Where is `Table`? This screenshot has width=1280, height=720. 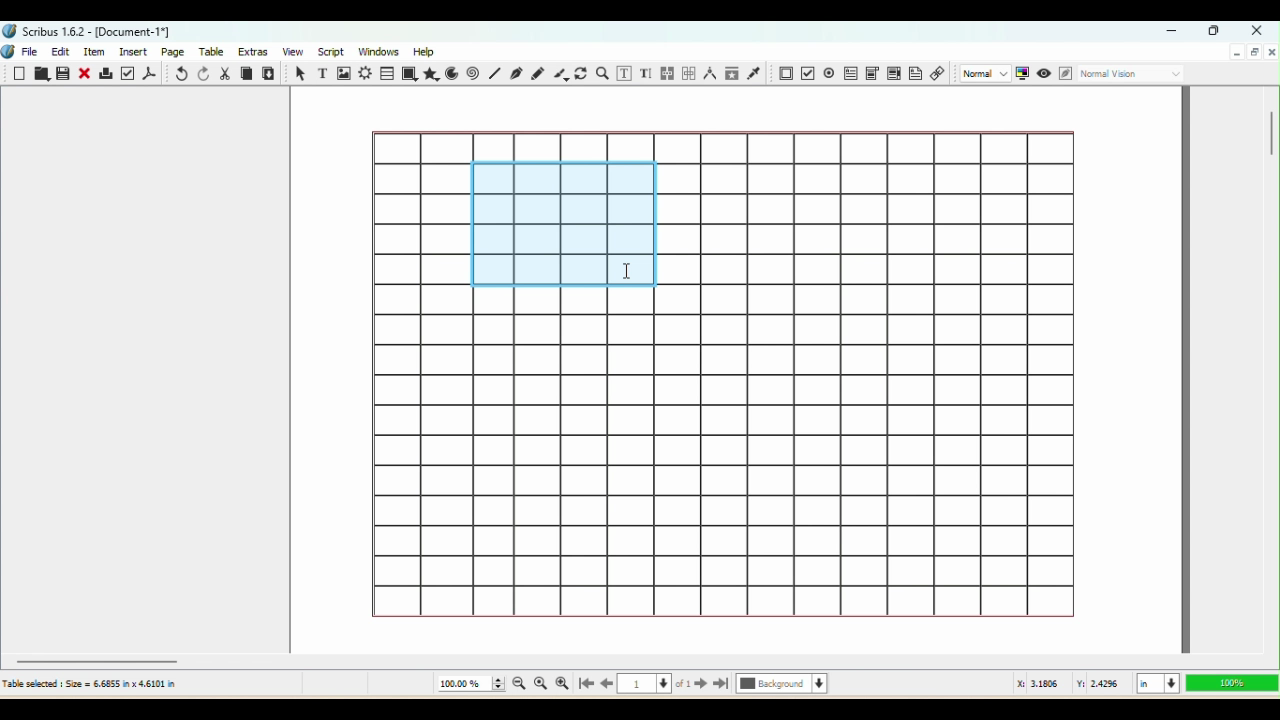 Table is located at coordinates (388, 73).